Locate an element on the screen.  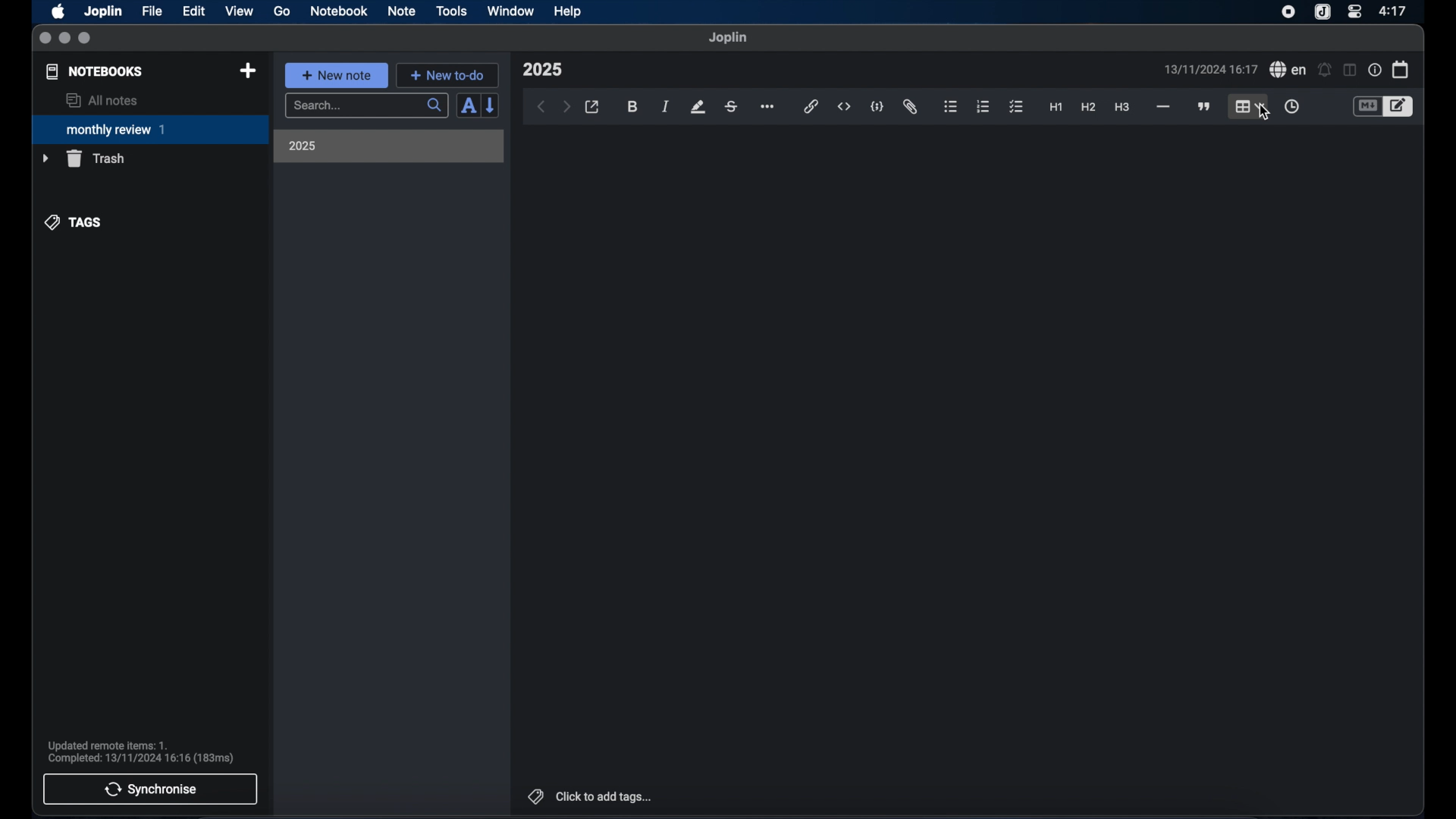
view is located at coordinates (239, 11).